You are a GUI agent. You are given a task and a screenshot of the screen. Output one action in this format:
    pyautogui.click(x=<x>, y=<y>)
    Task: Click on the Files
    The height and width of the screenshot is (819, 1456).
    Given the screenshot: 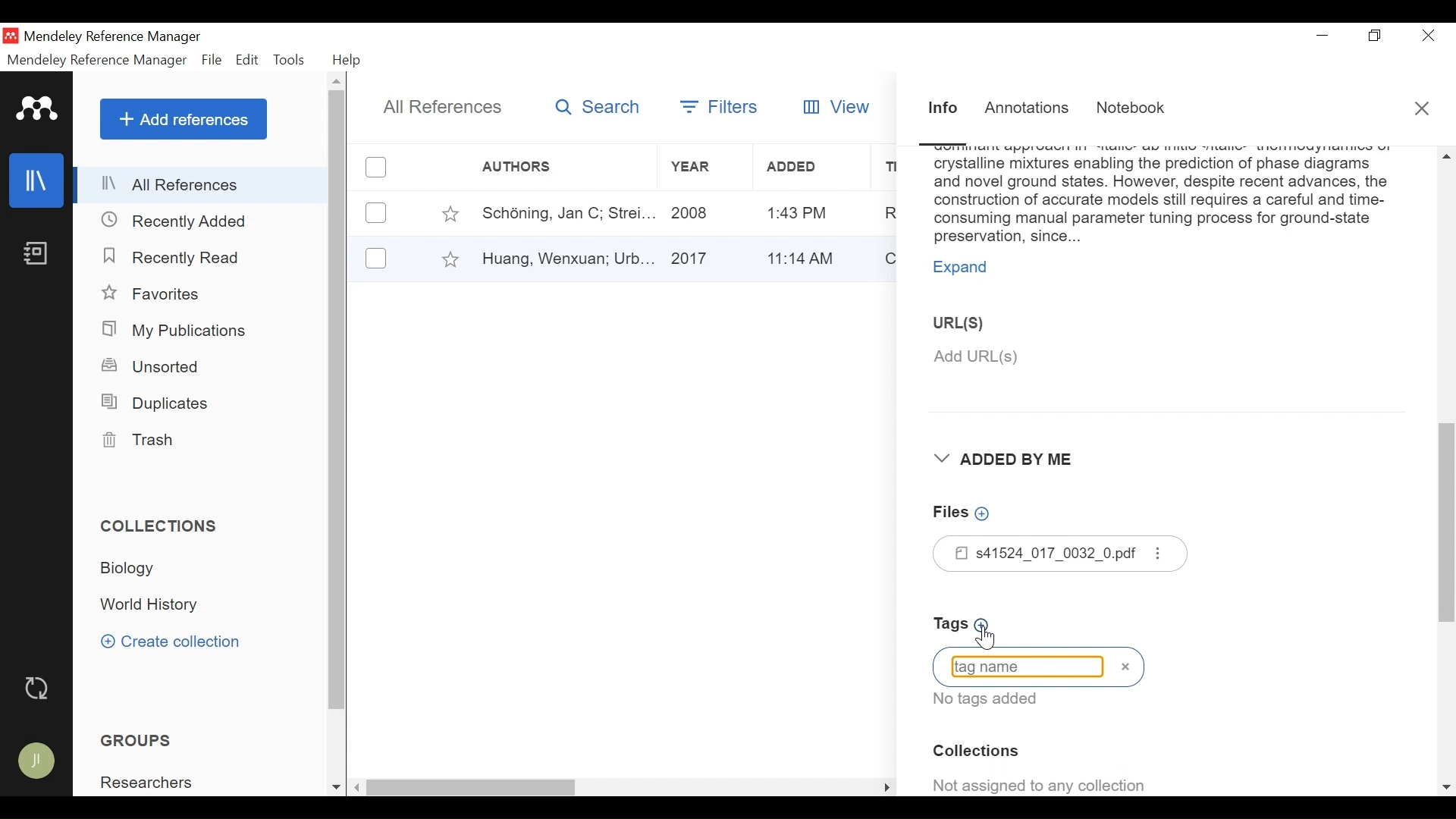 What is the action you would take?
    pyautogui.click(x=1062, y=554)
    